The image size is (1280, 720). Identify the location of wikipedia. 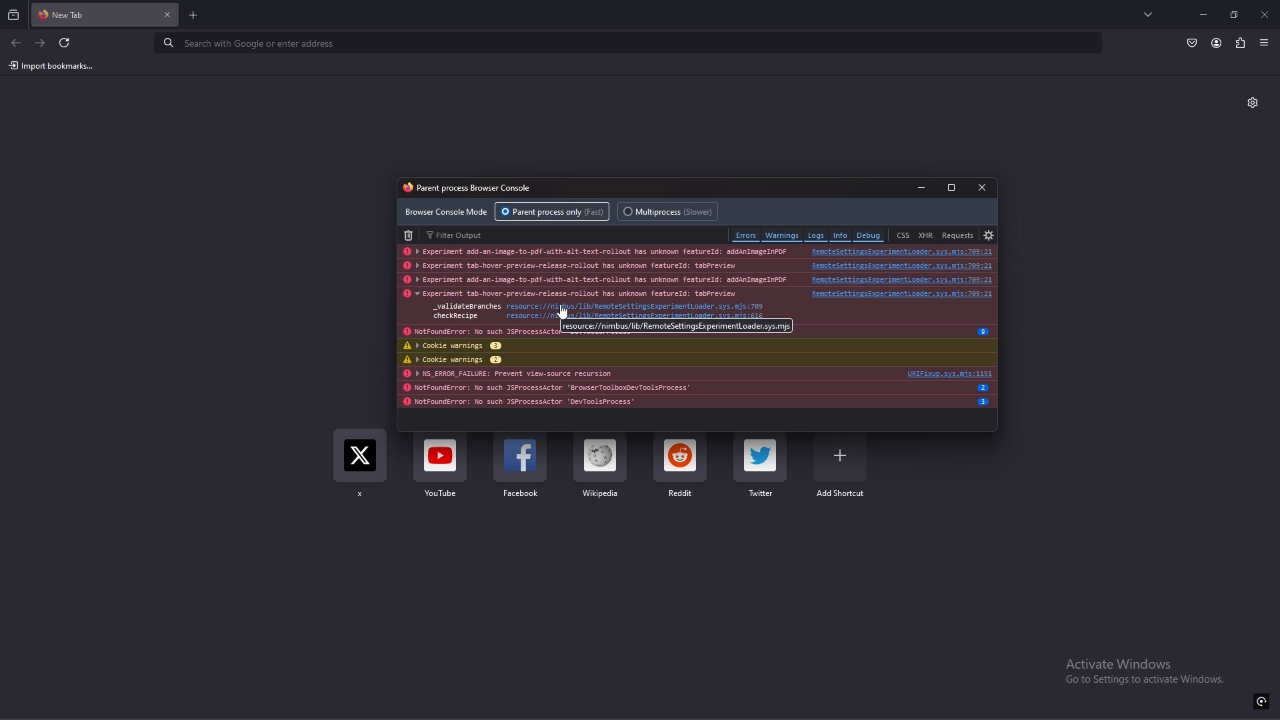
(602, 467).